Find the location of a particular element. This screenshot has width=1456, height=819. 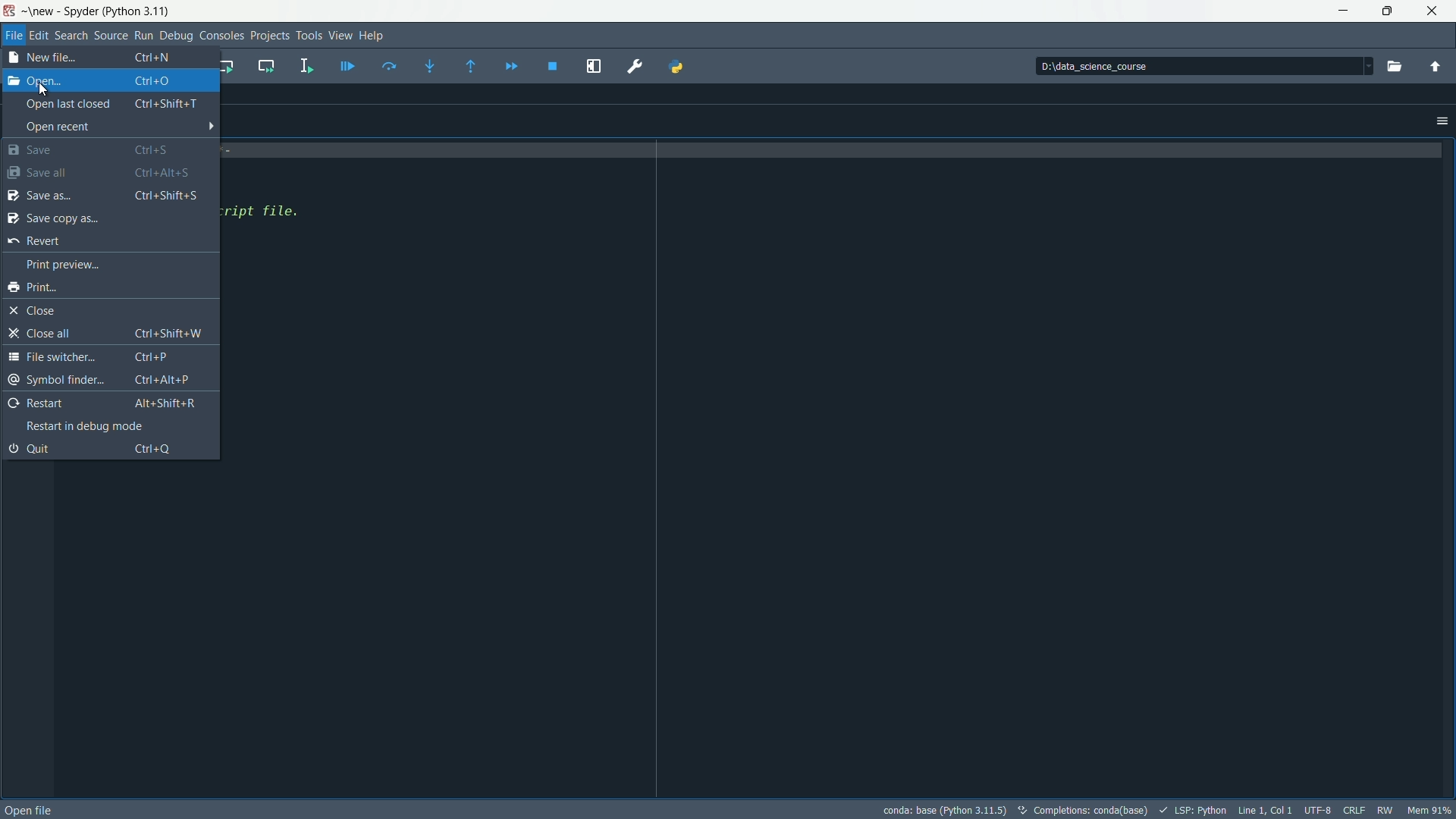

symbol finder is located at coordinates (105, 383).